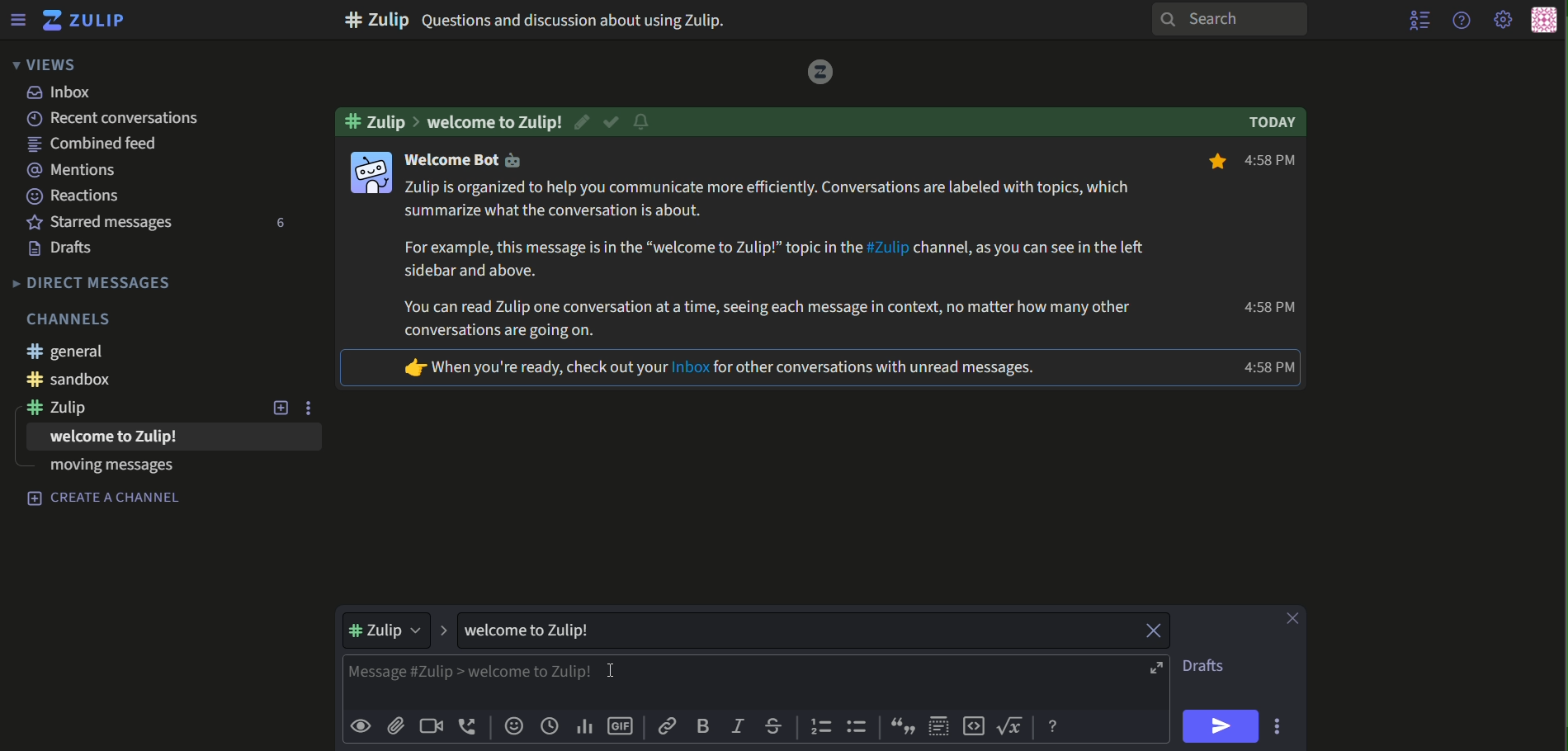  Describe the element at coordinates (939, 725) in the screenshot. I see `spoiler` at that location.